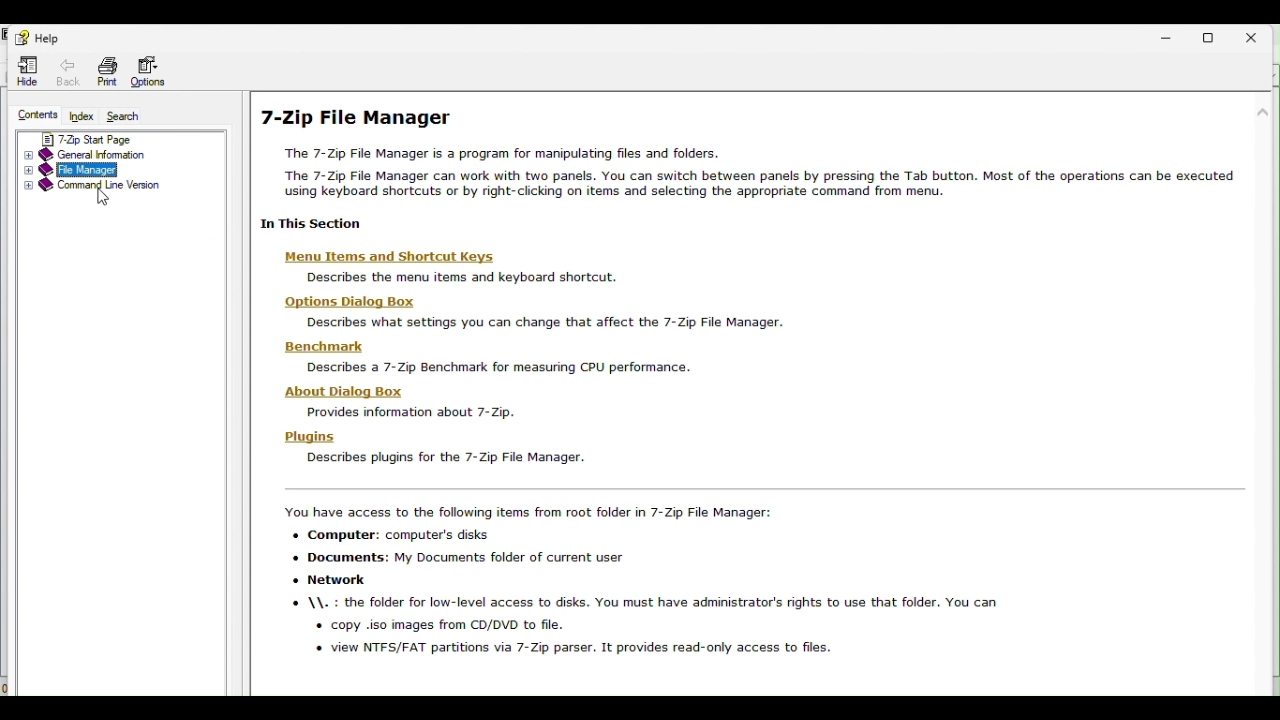  Describe the element at coordinates (754, 166) in the screenshot. I see `7 zip file manager help page` at that location.